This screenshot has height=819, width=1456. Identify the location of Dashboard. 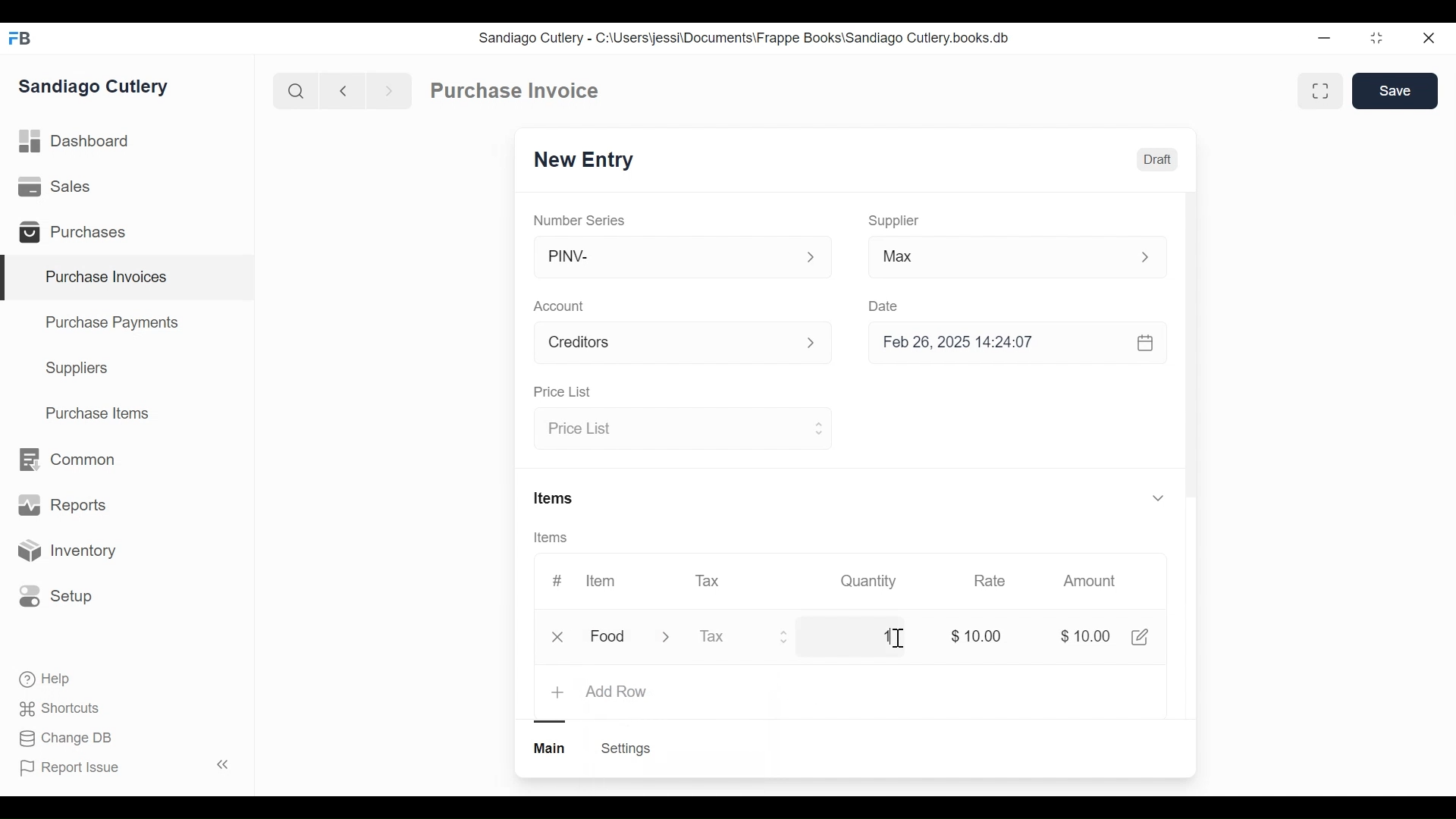
(76, 142).